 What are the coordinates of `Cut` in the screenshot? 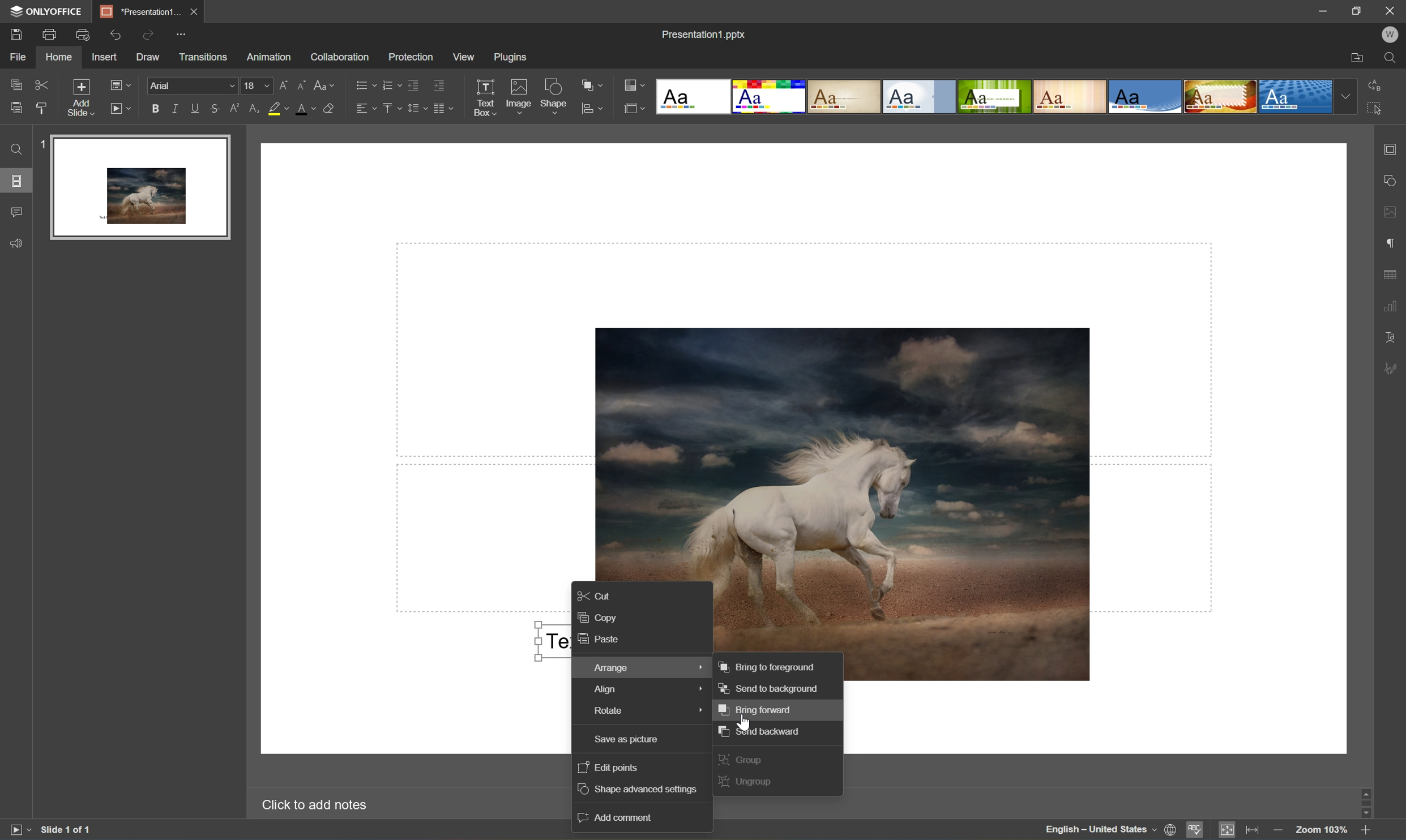 It's located at (42, 84).